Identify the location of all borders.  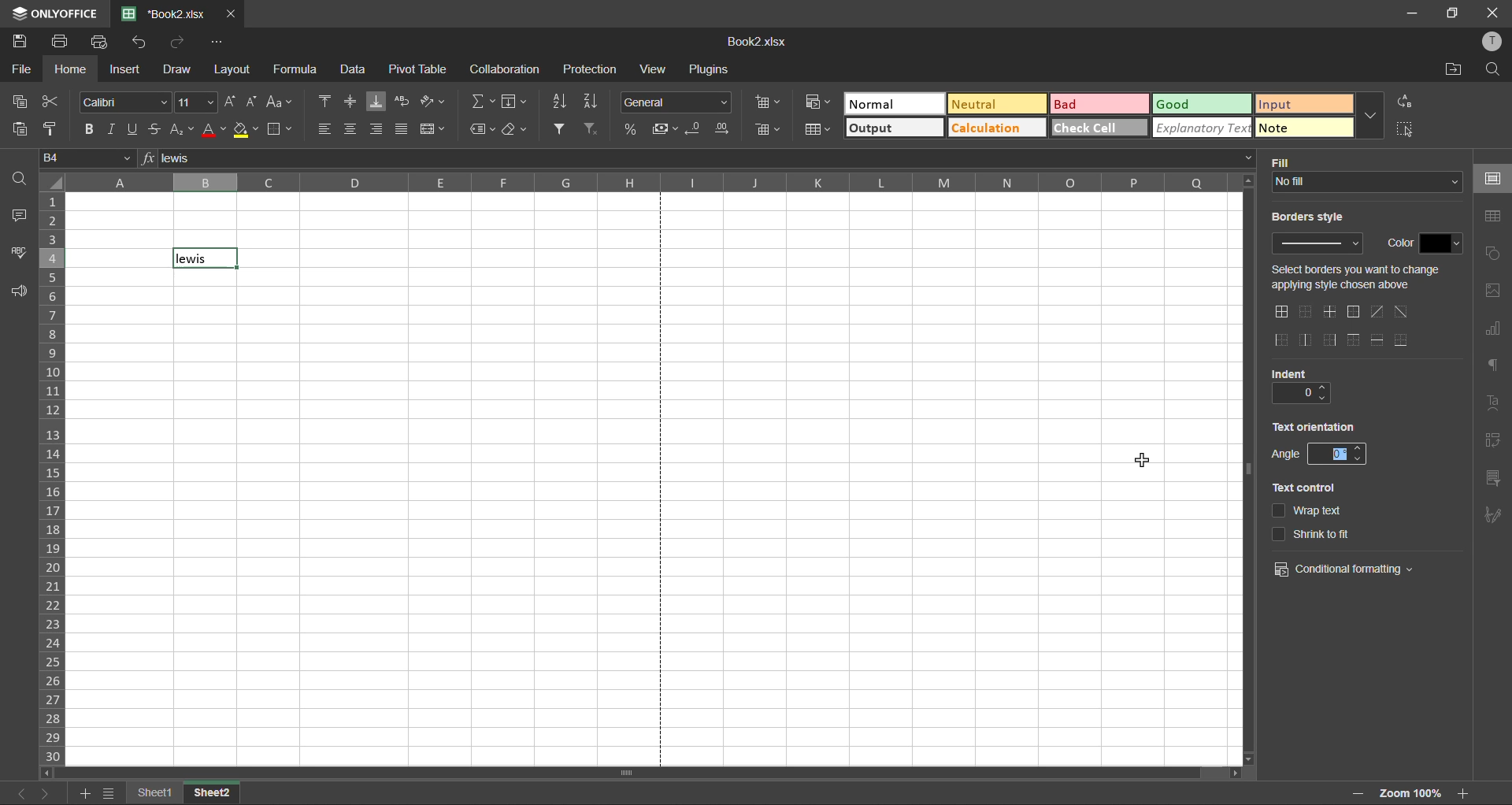
(1280, 312).